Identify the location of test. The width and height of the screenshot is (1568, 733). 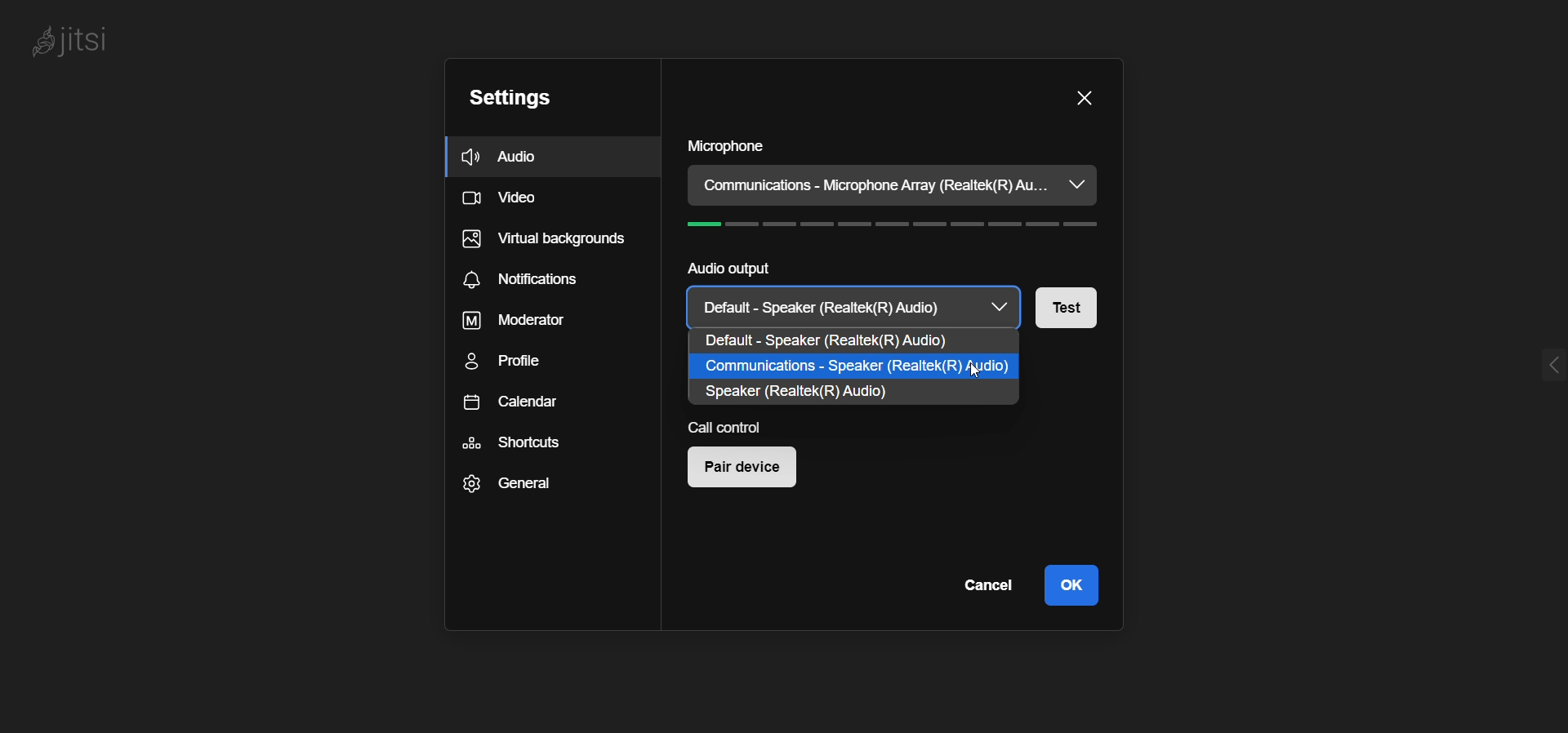
(1078, 308).